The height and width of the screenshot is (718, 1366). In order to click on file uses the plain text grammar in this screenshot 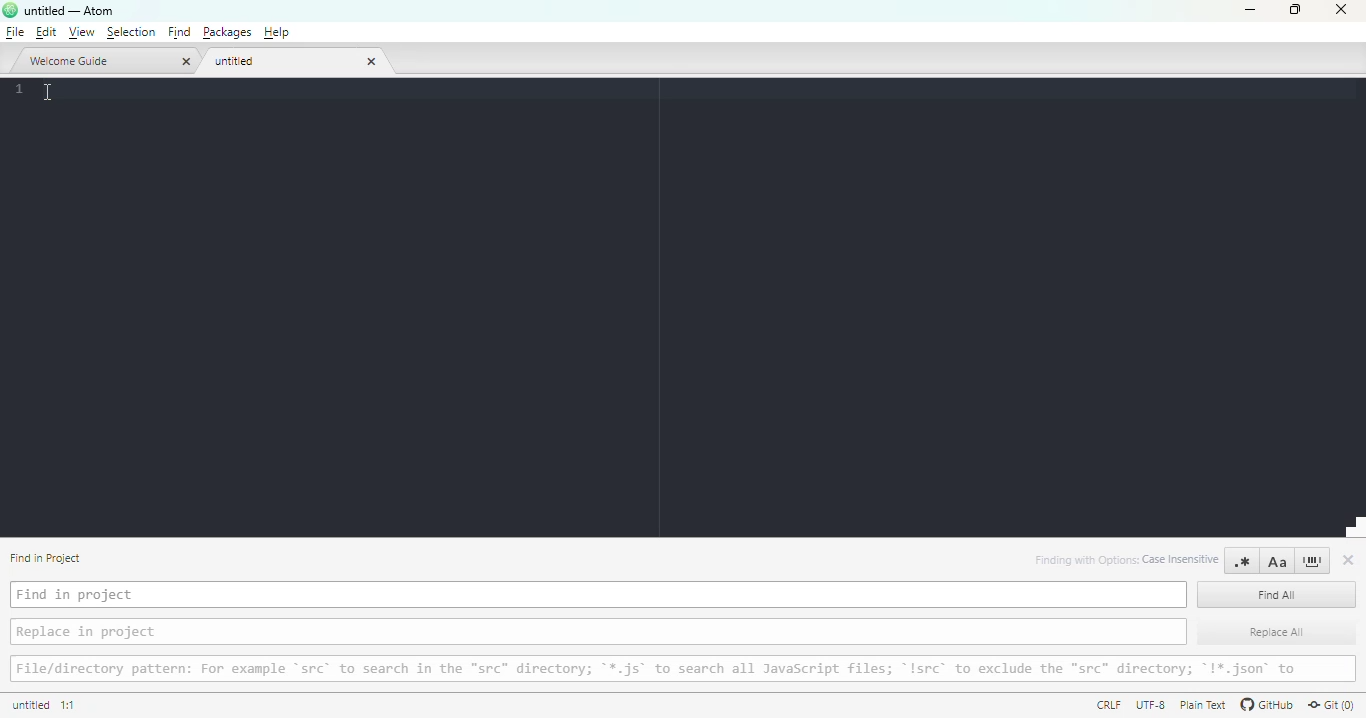, I will do `click(1201, 705)`.